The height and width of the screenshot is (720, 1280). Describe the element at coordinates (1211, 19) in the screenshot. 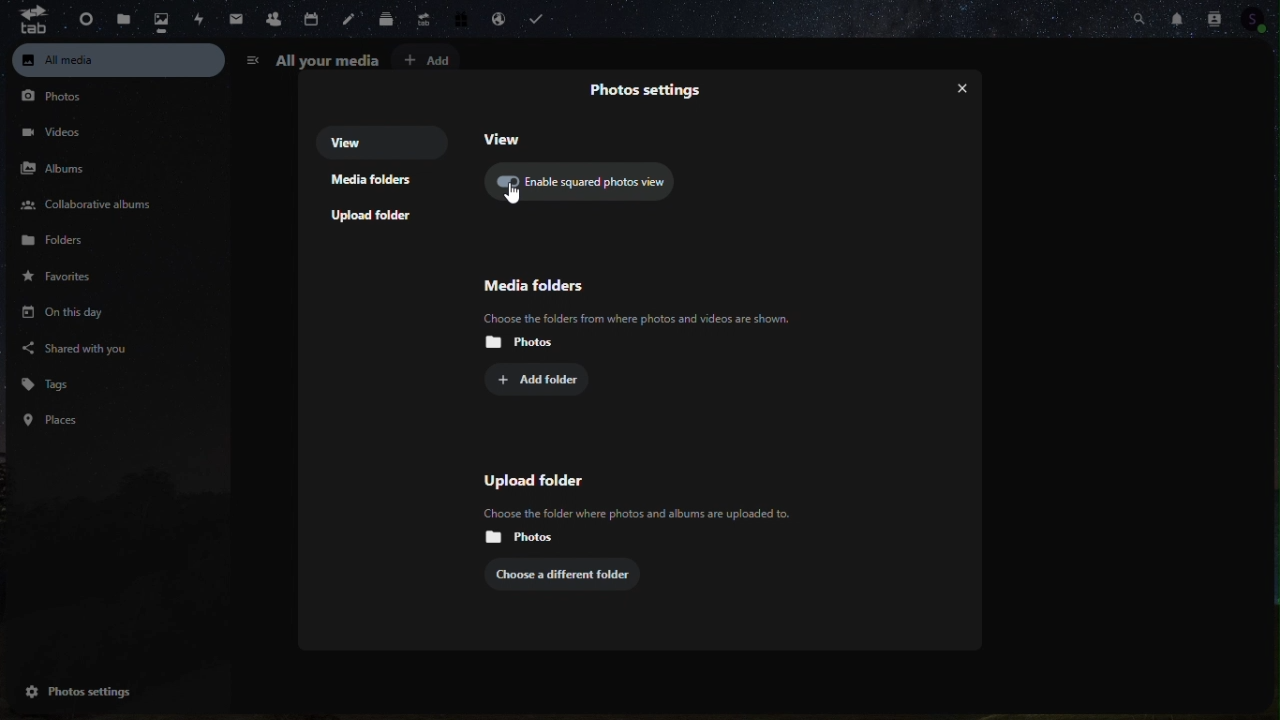

I see `Contacts` at that location.